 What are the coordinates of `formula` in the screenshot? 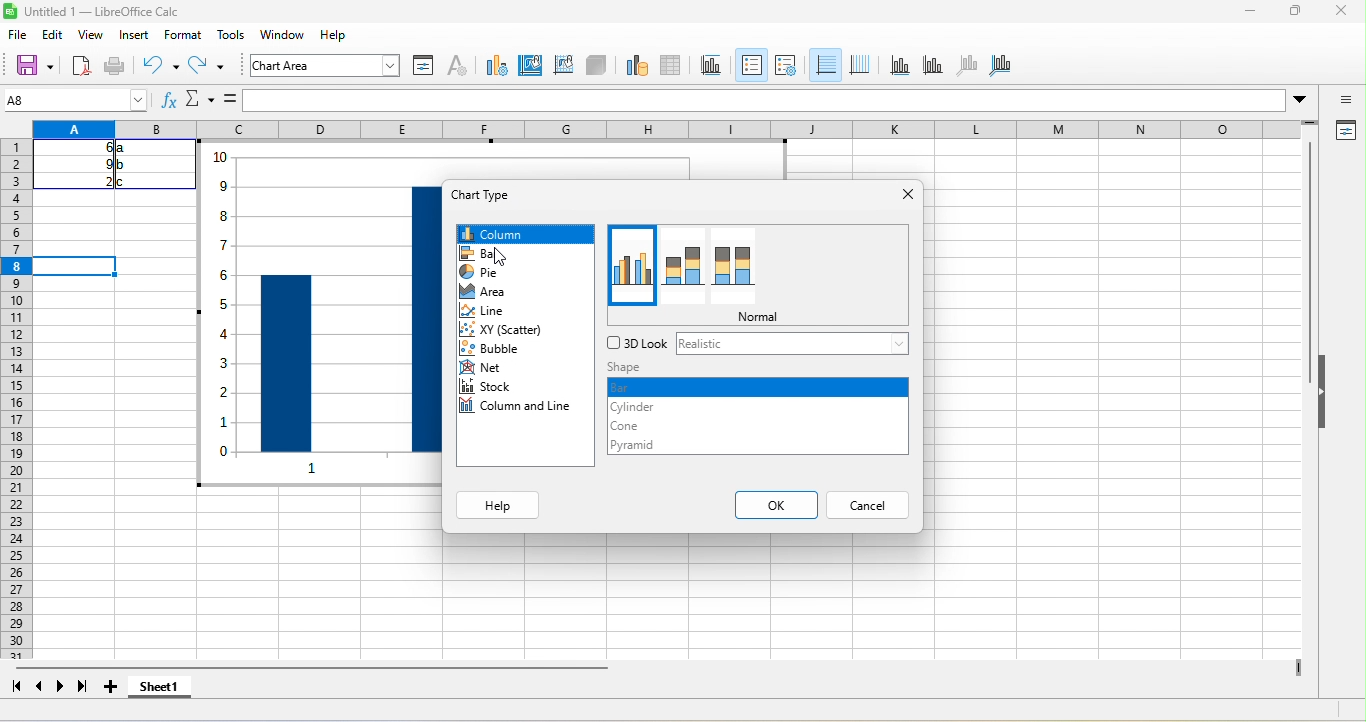 It's located at (228, 100).